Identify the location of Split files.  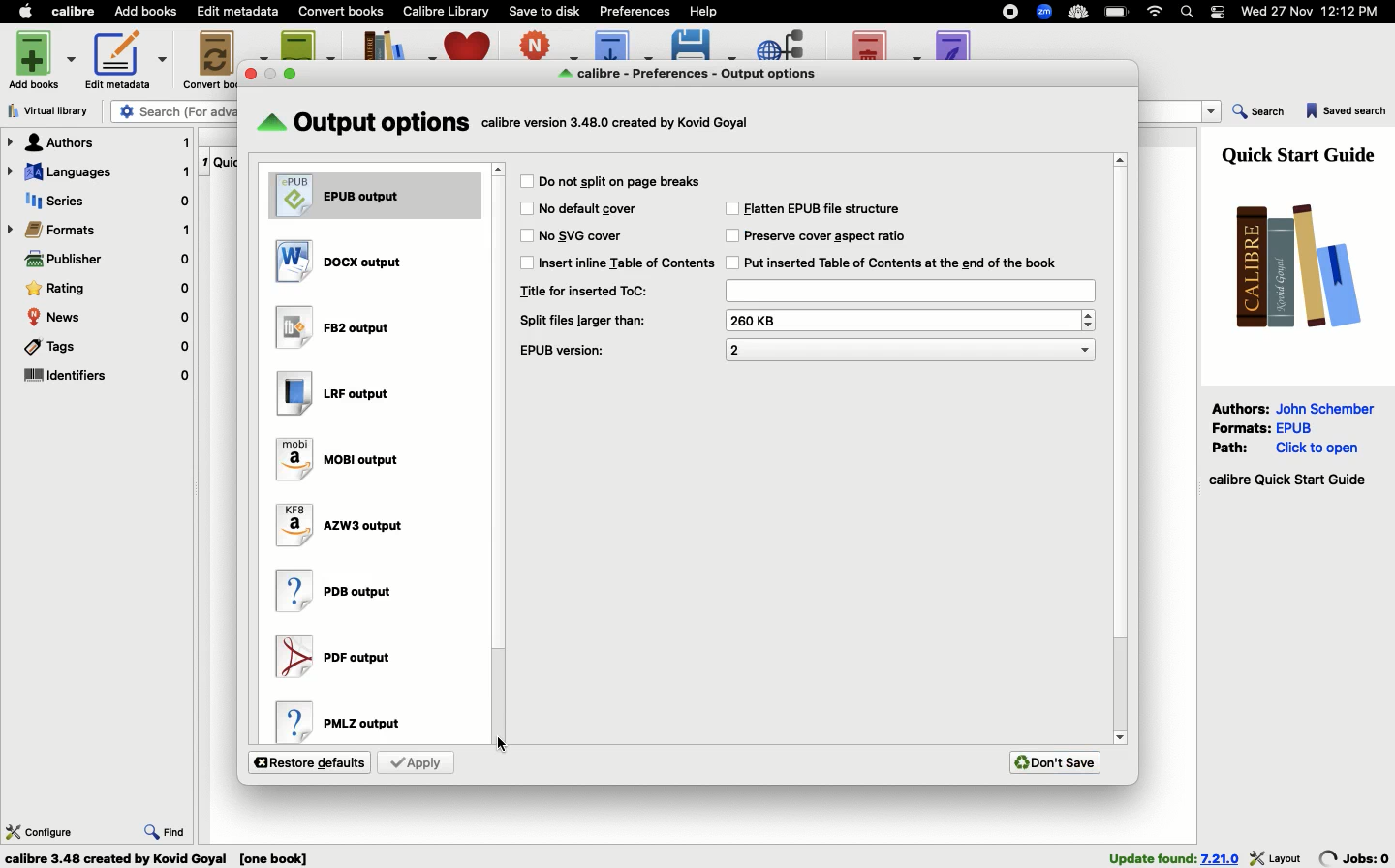
(907, 320).